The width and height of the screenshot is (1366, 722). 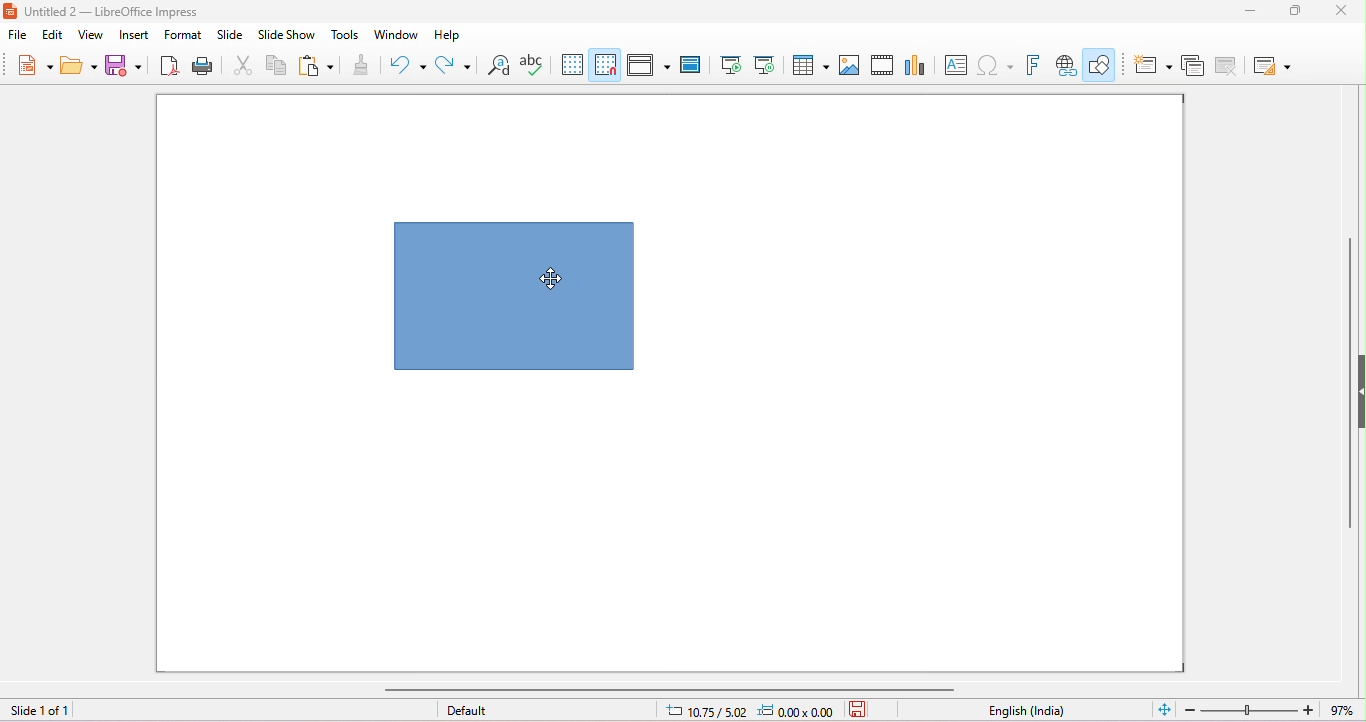 I want to click on open, so click(x=79, y=65).